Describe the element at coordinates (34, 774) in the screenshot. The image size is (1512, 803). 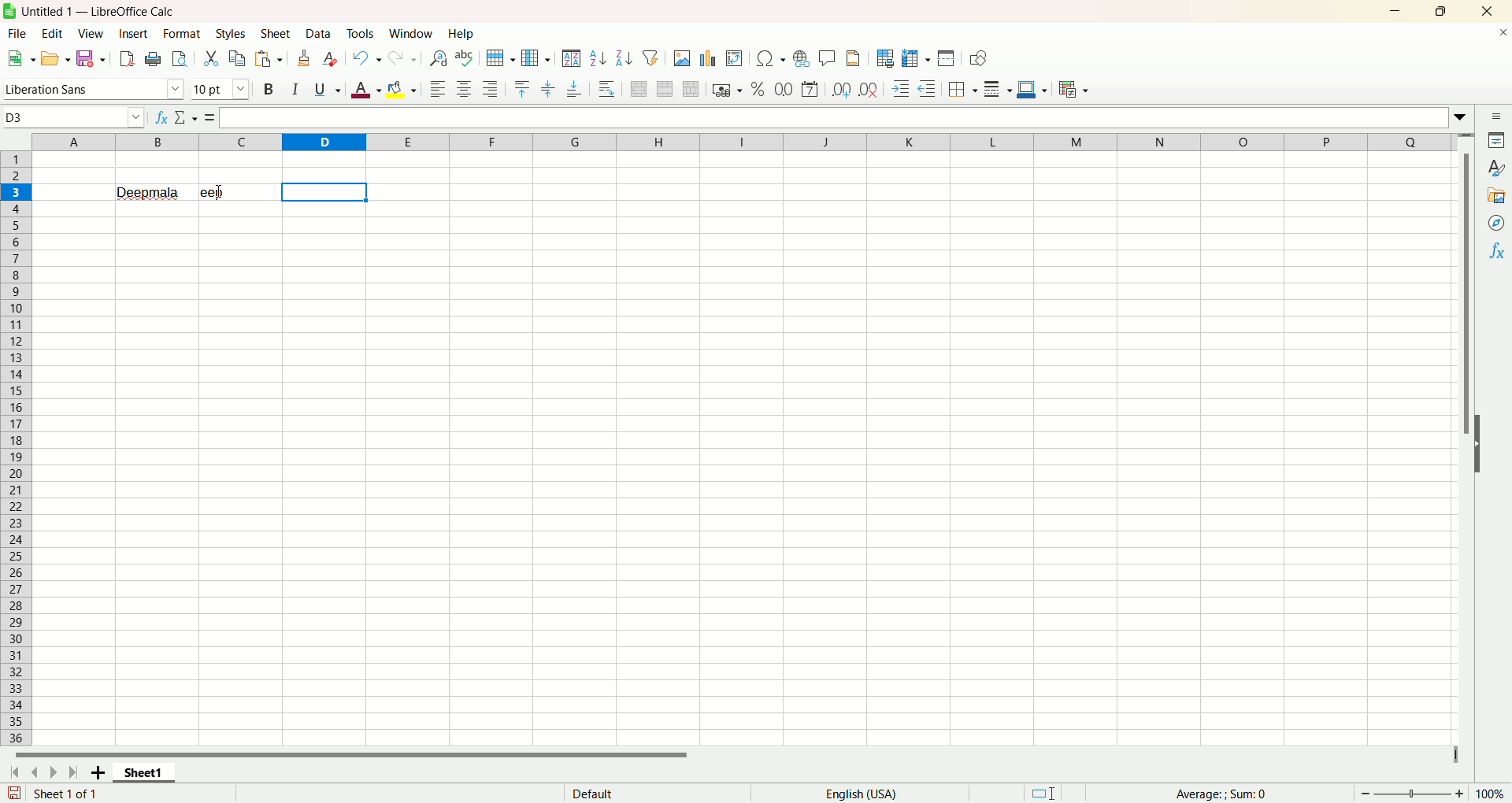
I see `previous sheet` at that location.